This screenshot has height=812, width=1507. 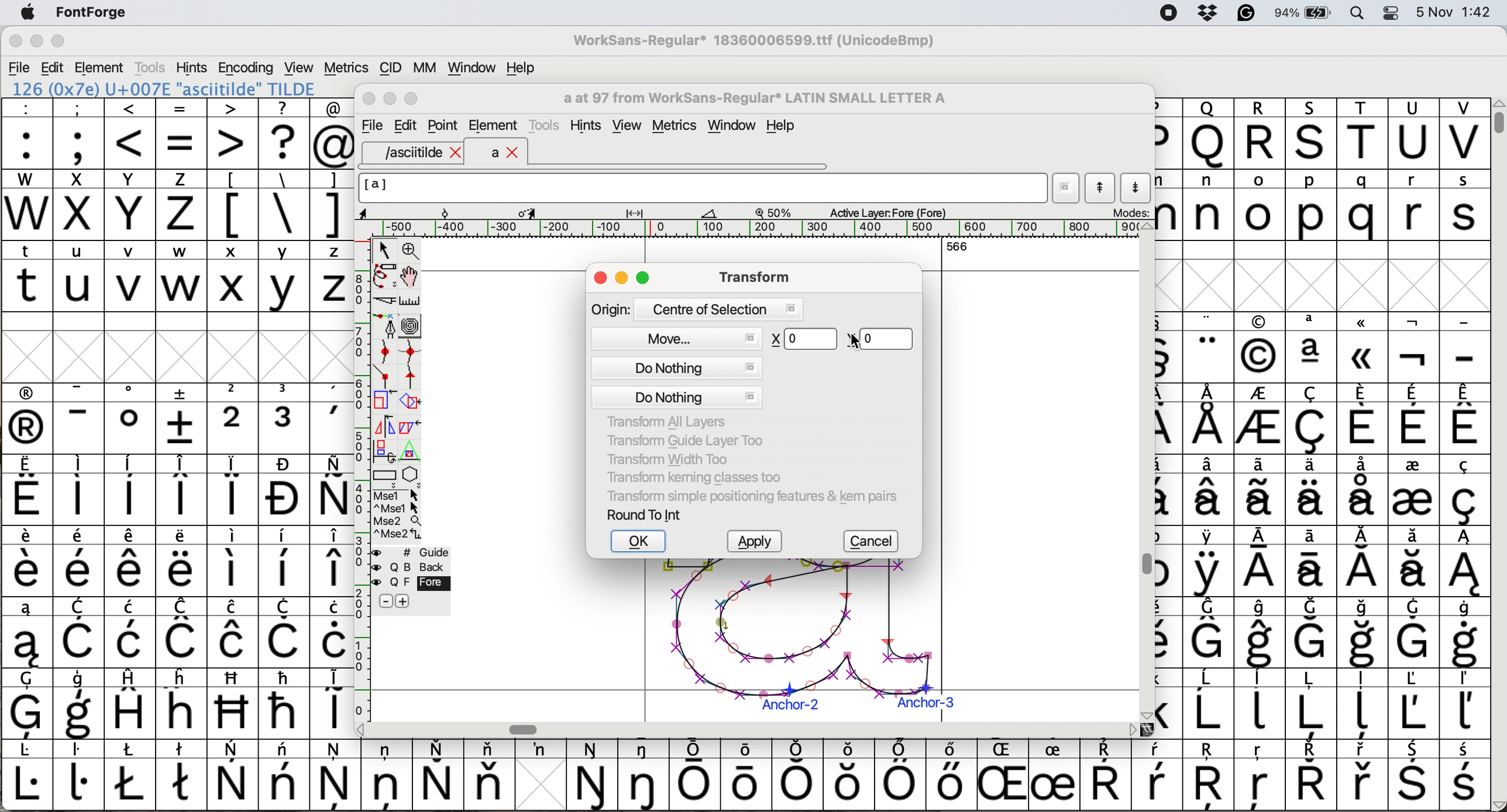 I want to click on , so click(x=1261, y=776).